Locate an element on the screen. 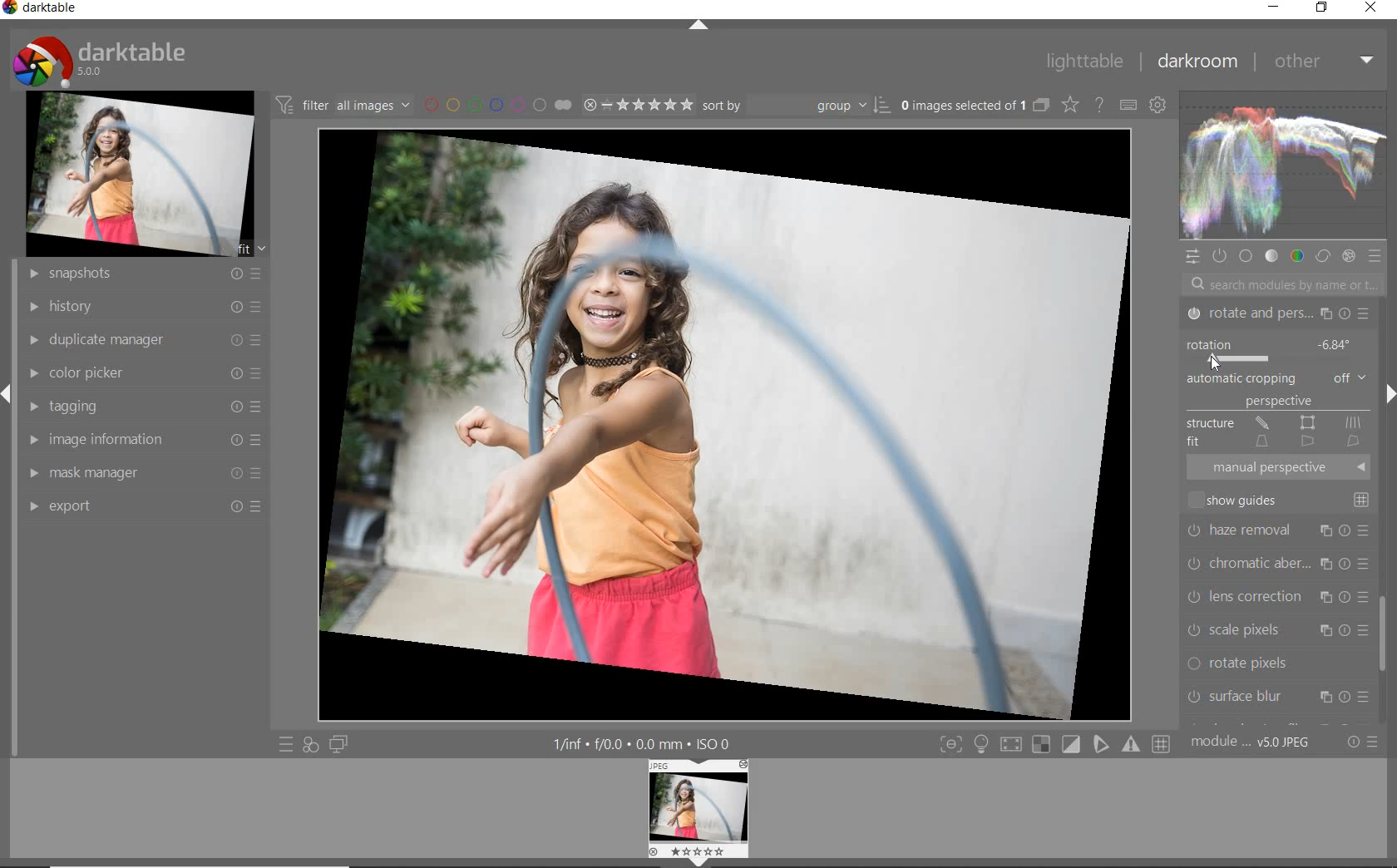  STRUCTURE is located at coordinates (1274, 423).